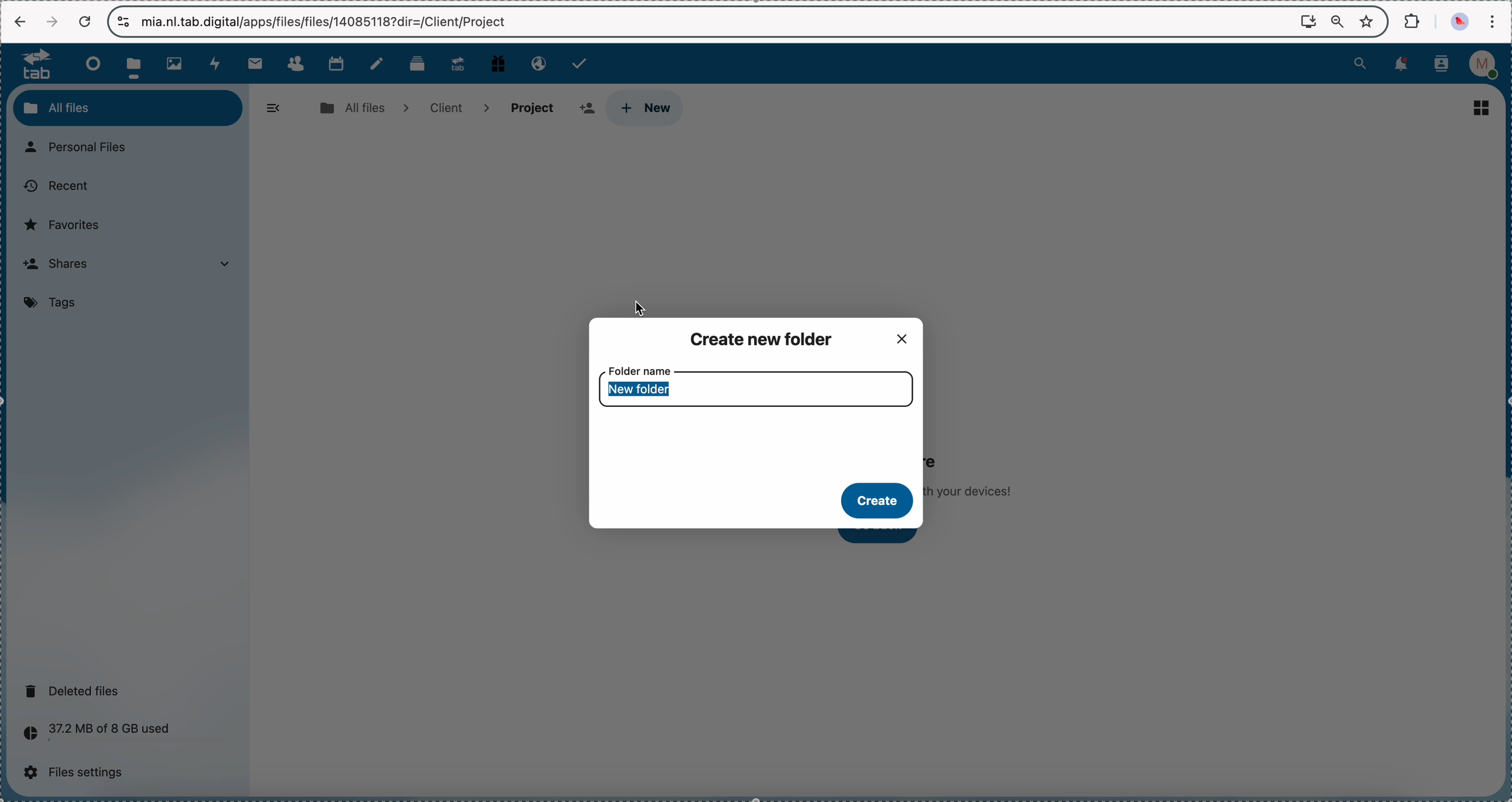 The image size is (1512, 802). I want to click on all files, so click(362, 107).